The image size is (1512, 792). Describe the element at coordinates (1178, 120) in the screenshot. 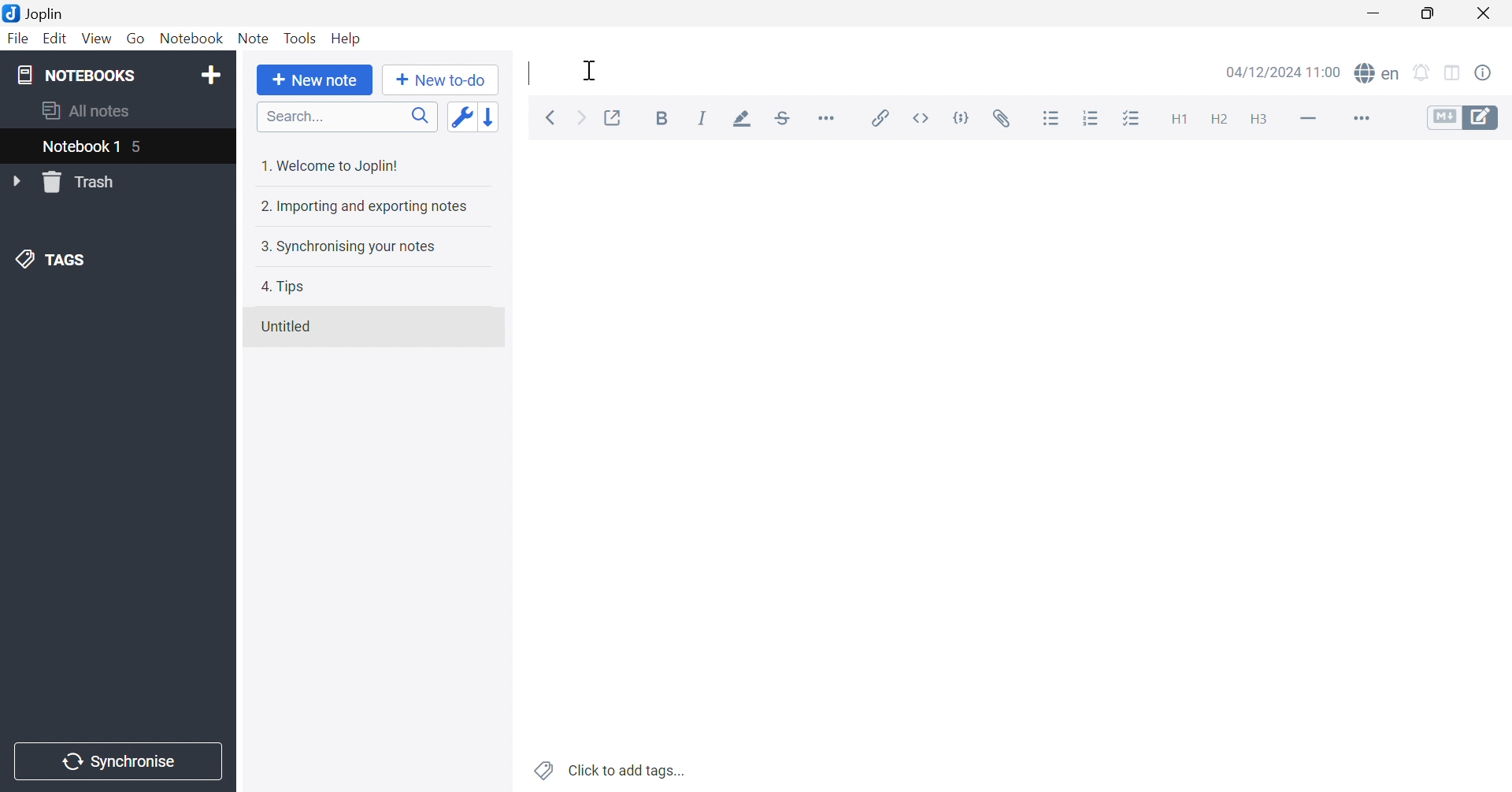

I see `Heading 1` at that location.